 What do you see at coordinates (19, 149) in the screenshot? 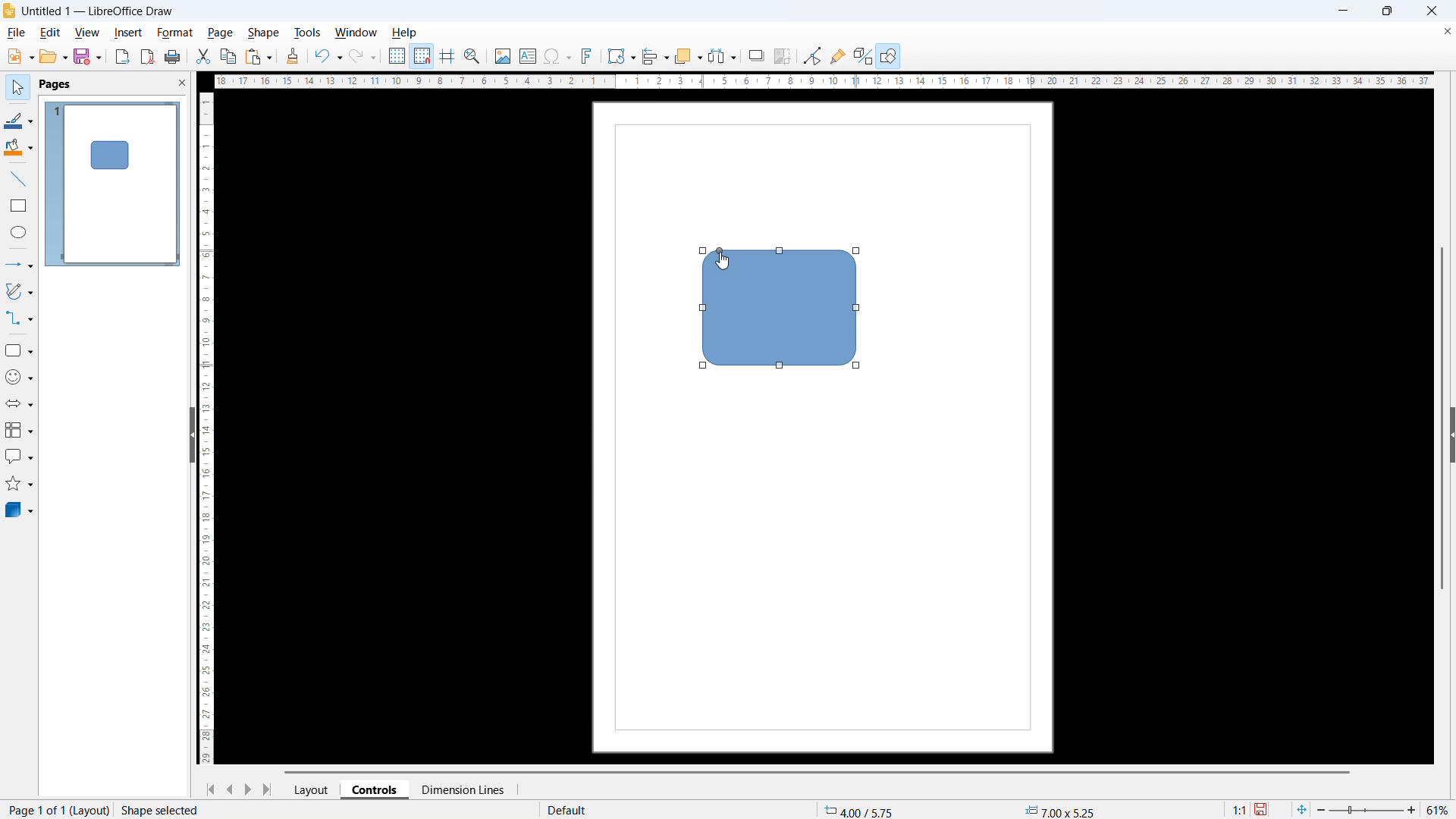
I see `Background colour ` at bounding box center [19, 149].